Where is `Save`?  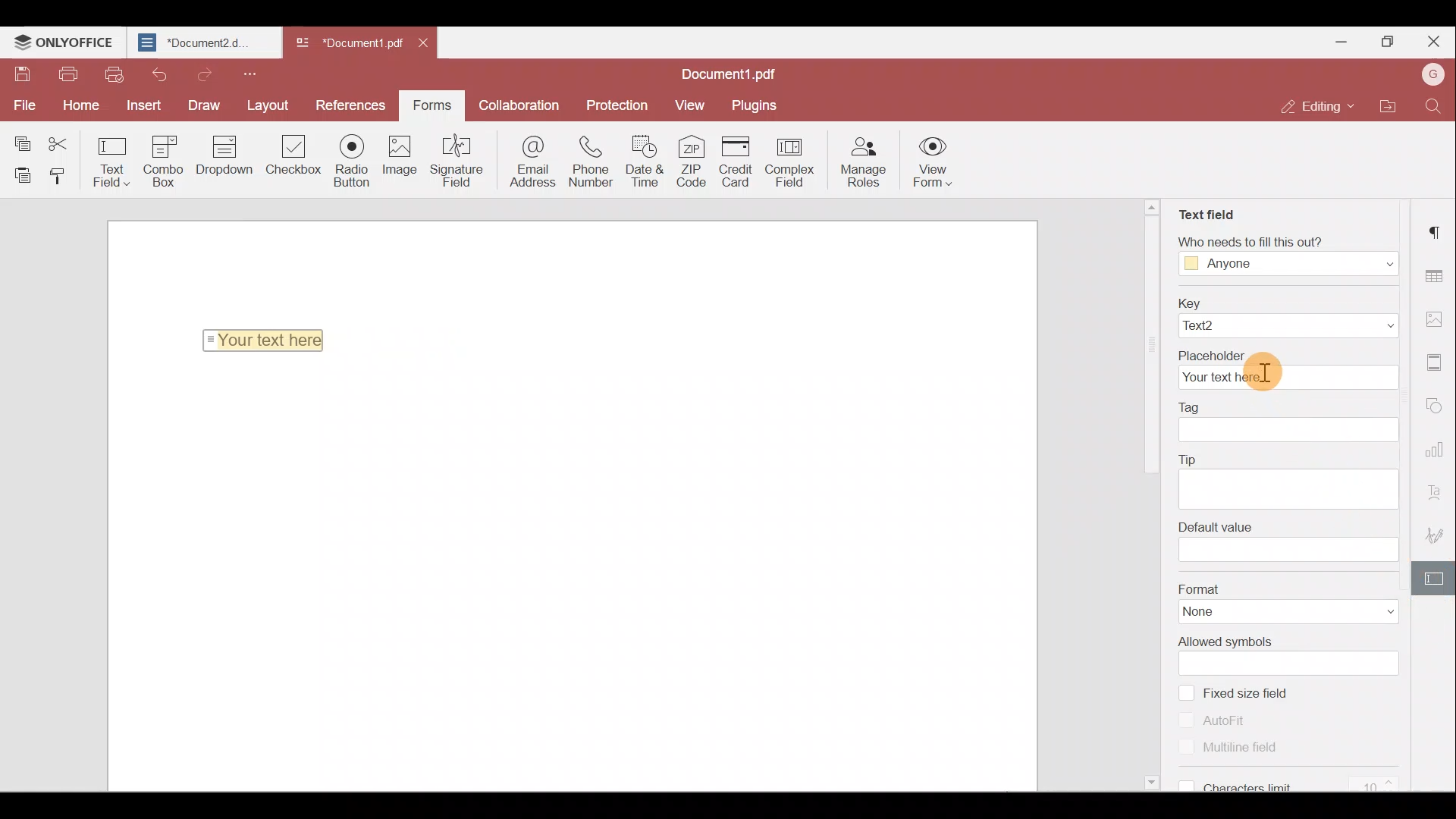
Save is located at coordinates (20, 73).